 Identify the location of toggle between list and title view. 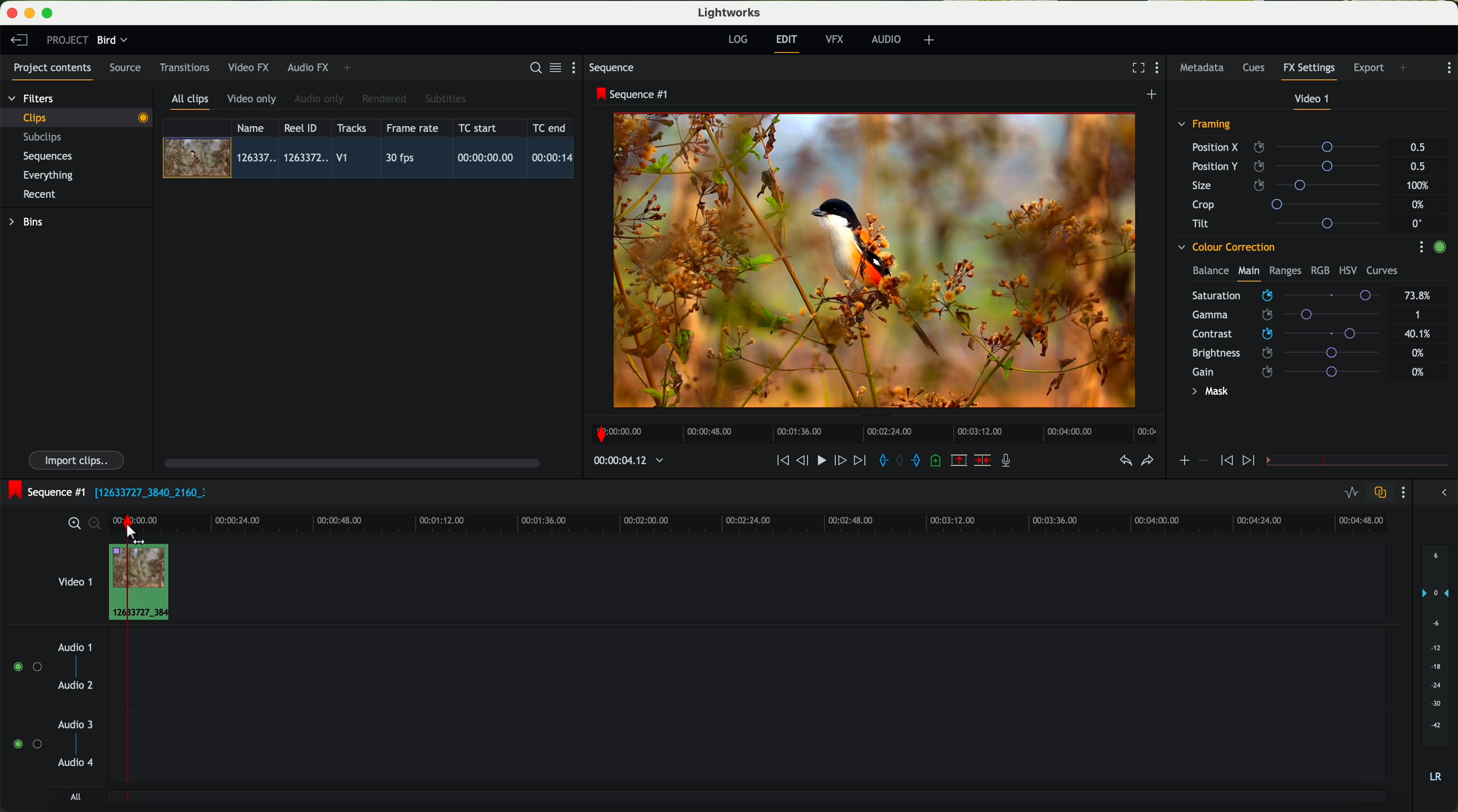
(554, 67).